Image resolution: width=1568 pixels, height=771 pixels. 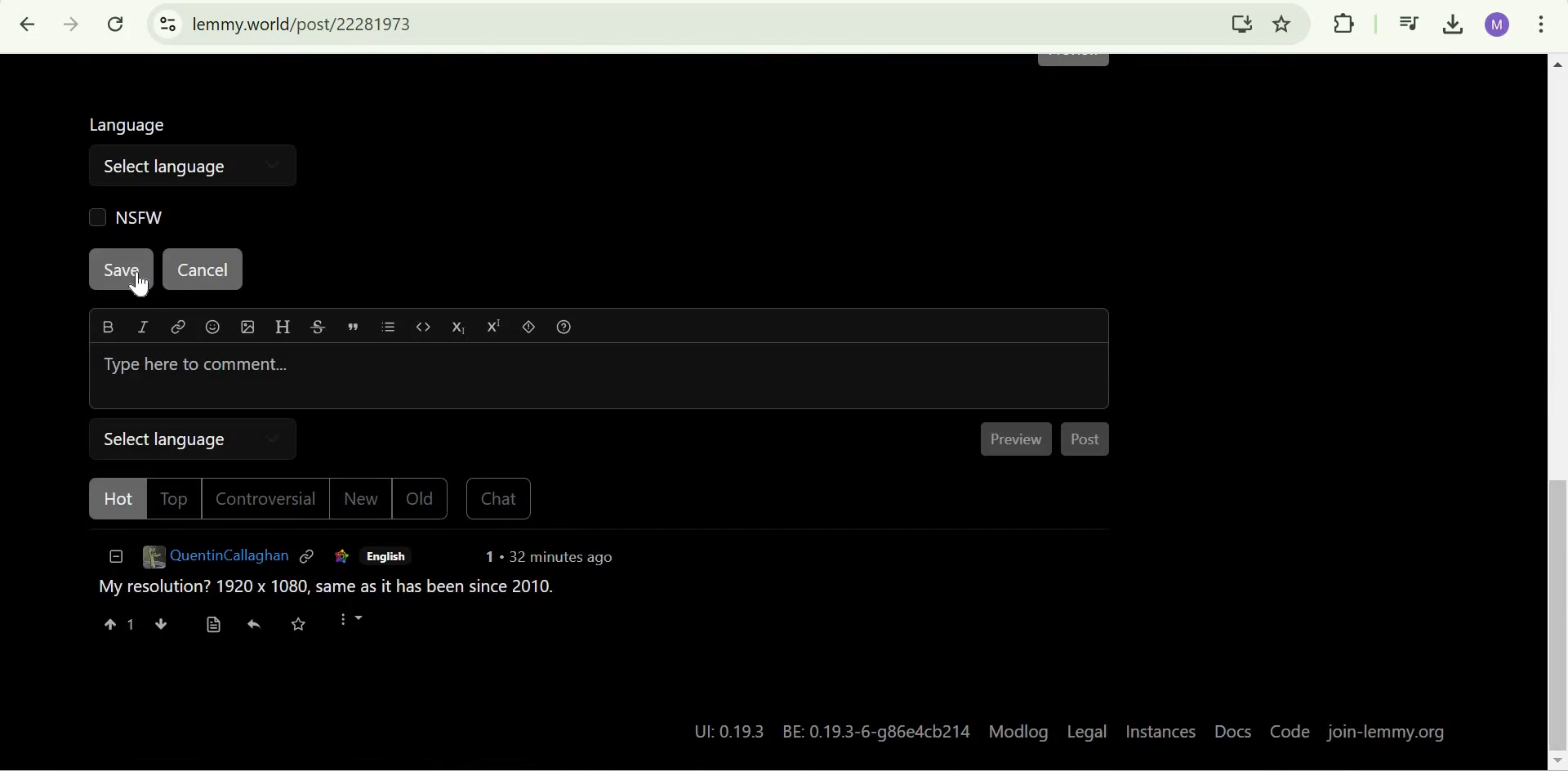 What do you see at coordinates (131, 122) in the screenshot?
I see `Language` at bounding box center [131, 122].